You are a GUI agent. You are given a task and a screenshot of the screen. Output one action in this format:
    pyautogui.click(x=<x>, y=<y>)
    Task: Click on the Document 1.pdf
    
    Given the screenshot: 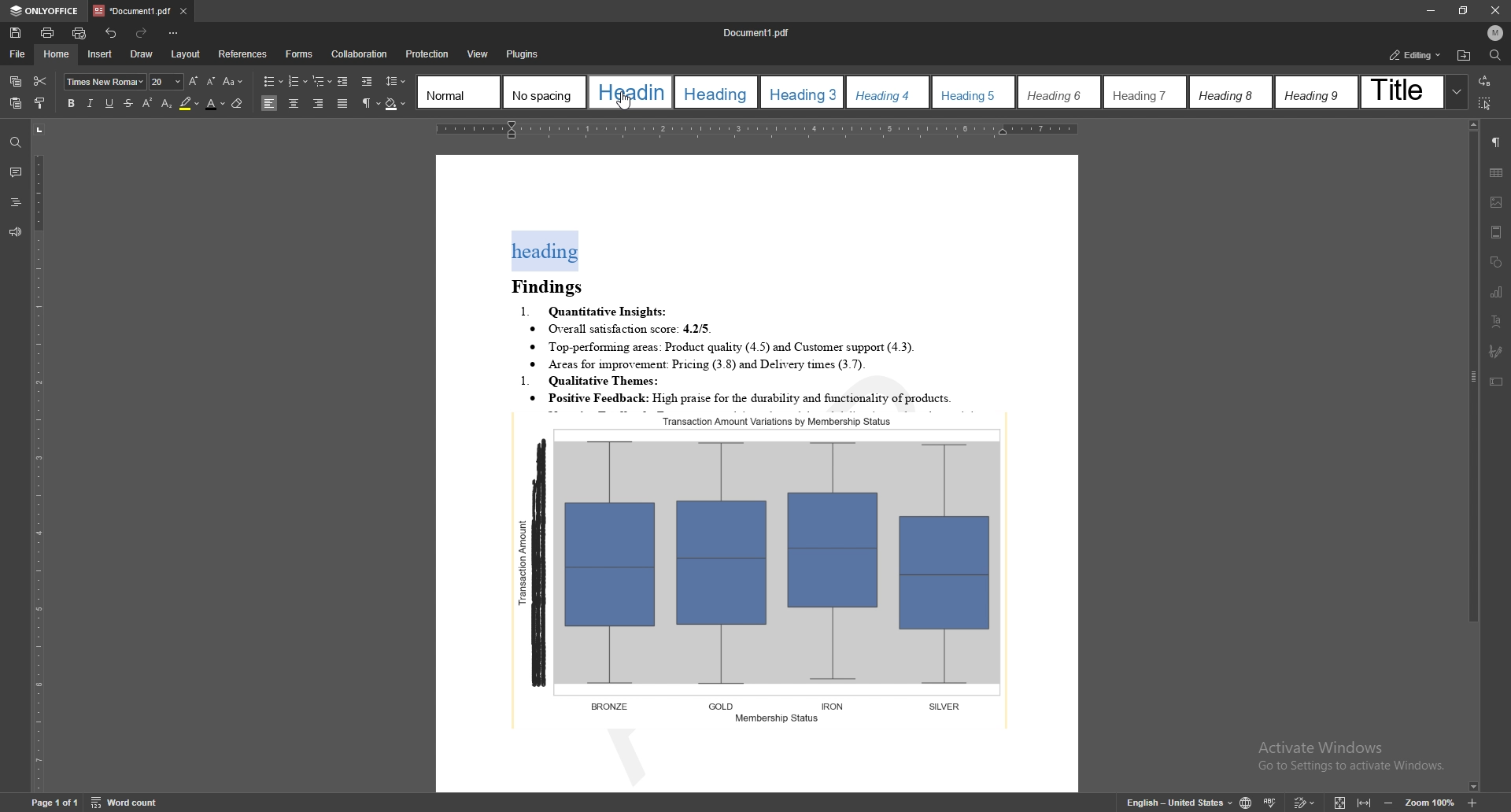 What is the action you would take?
    pyautogui.click(x=762, y=32)
    